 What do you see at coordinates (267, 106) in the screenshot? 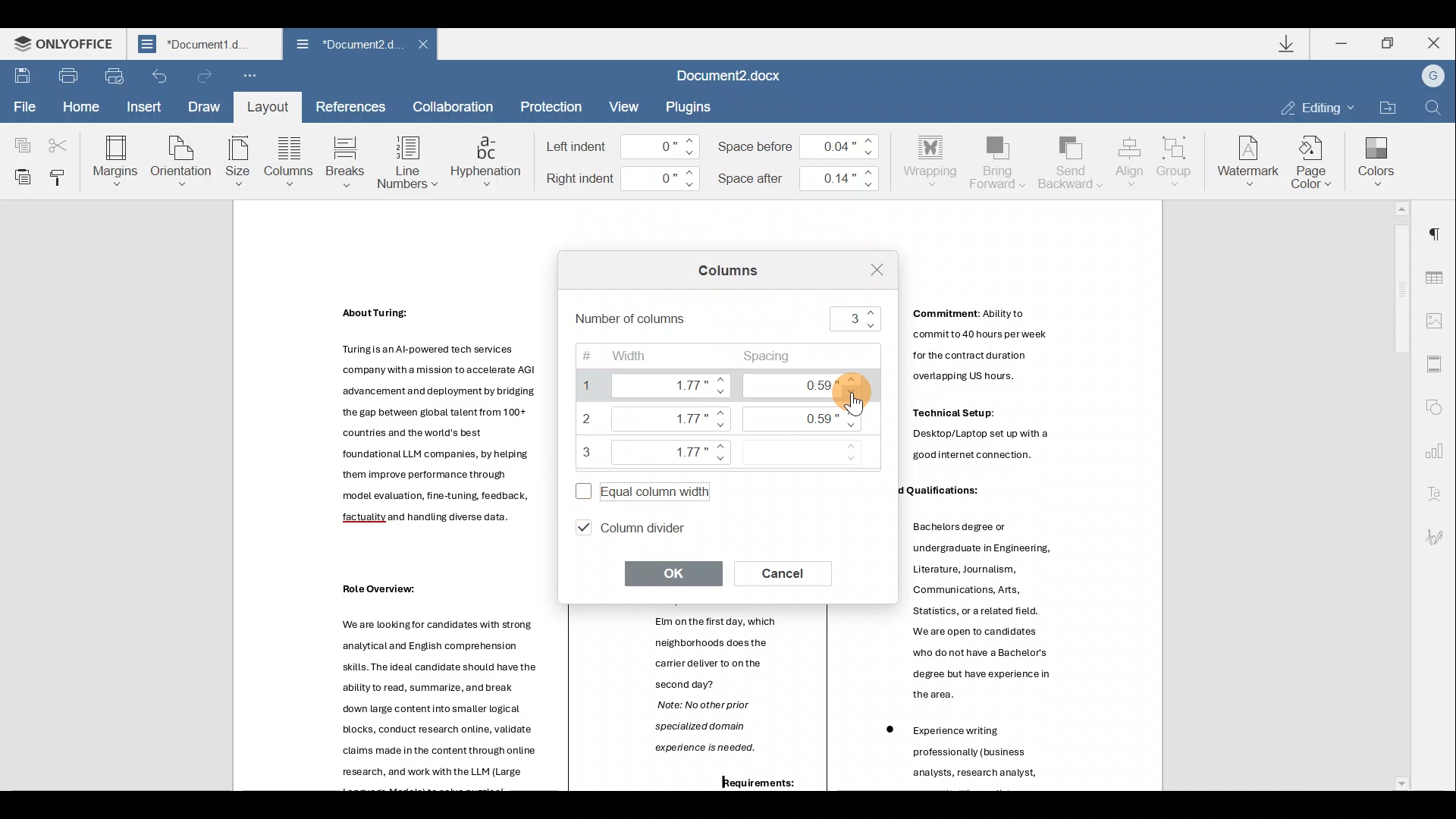
I see `Layout` at bounding box center [267, 106].